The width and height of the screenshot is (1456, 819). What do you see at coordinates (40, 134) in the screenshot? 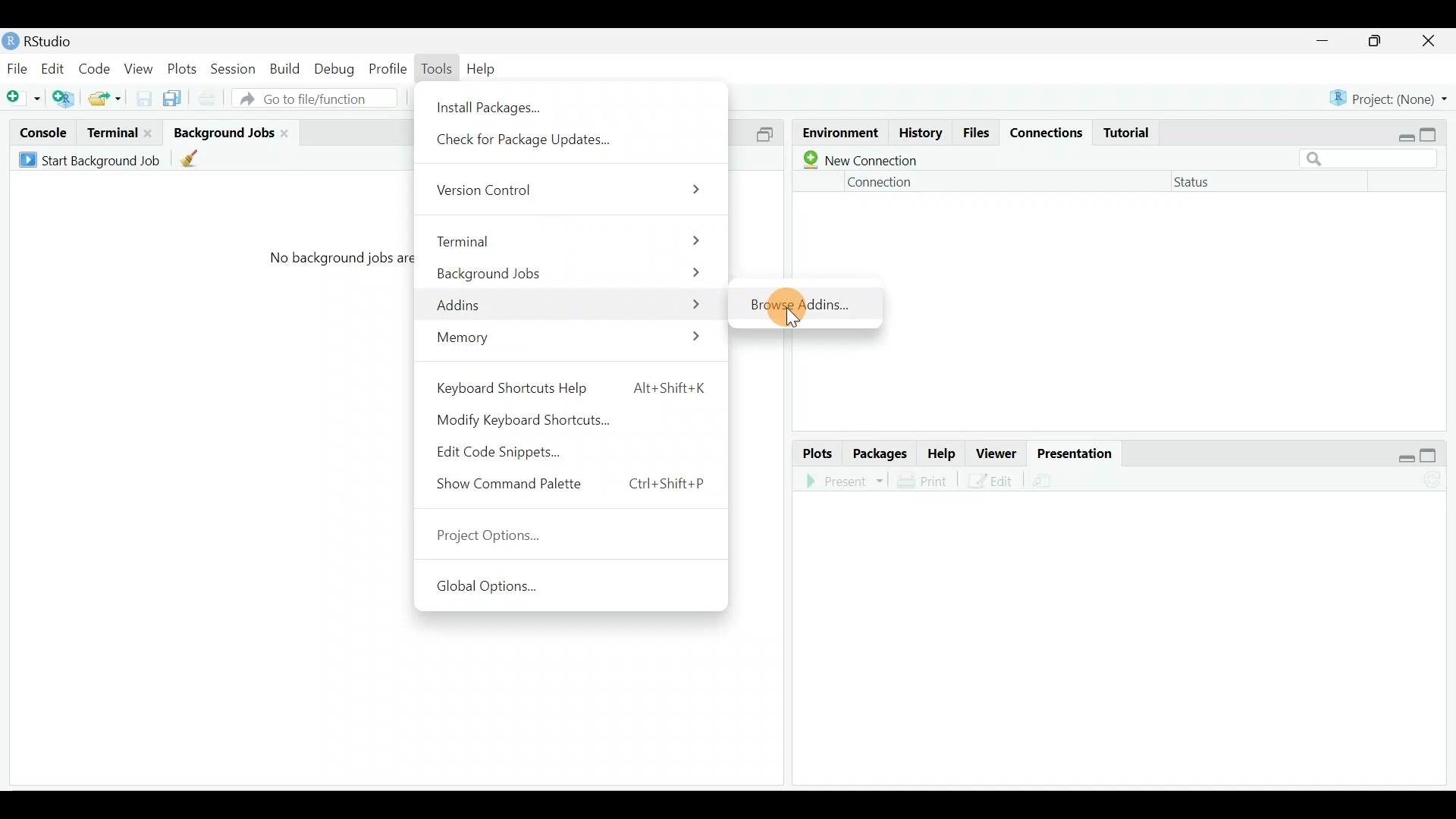
I see `Console` at bounding box center [40, 134].